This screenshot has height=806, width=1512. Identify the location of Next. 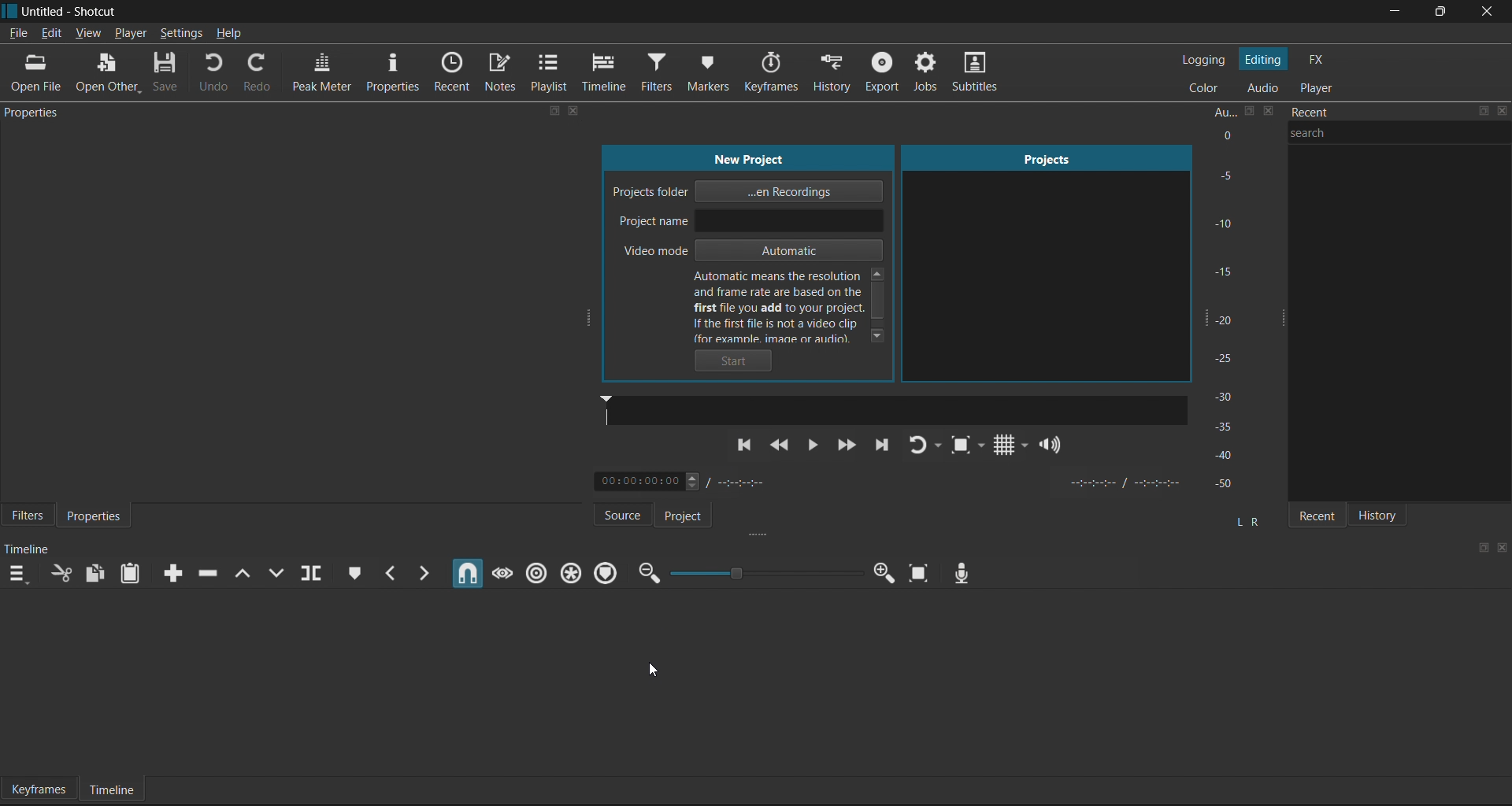
(883, 448).